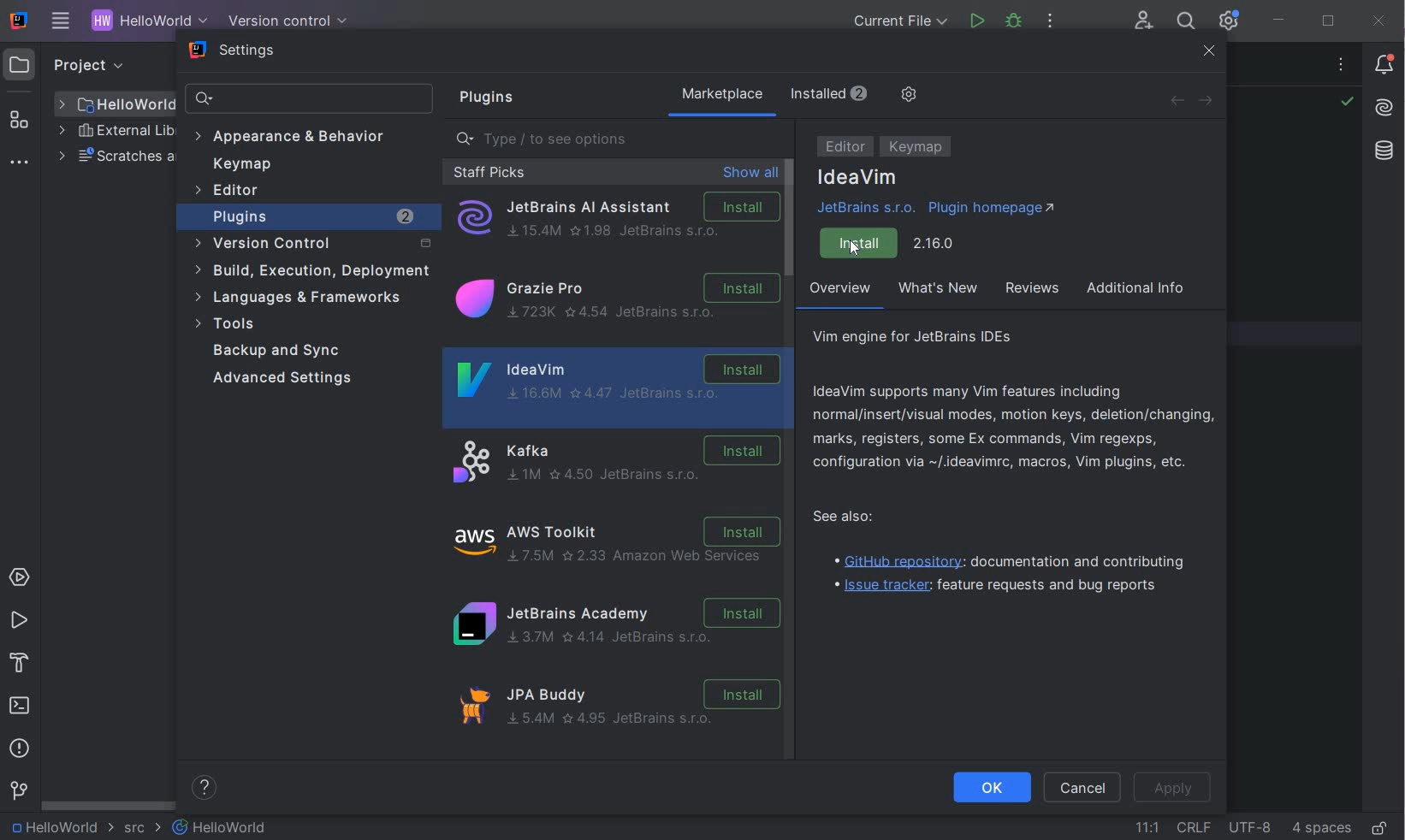 The image size is (1405, 840). I want to click on Aws Toolkit Installation, so click(620, 543).